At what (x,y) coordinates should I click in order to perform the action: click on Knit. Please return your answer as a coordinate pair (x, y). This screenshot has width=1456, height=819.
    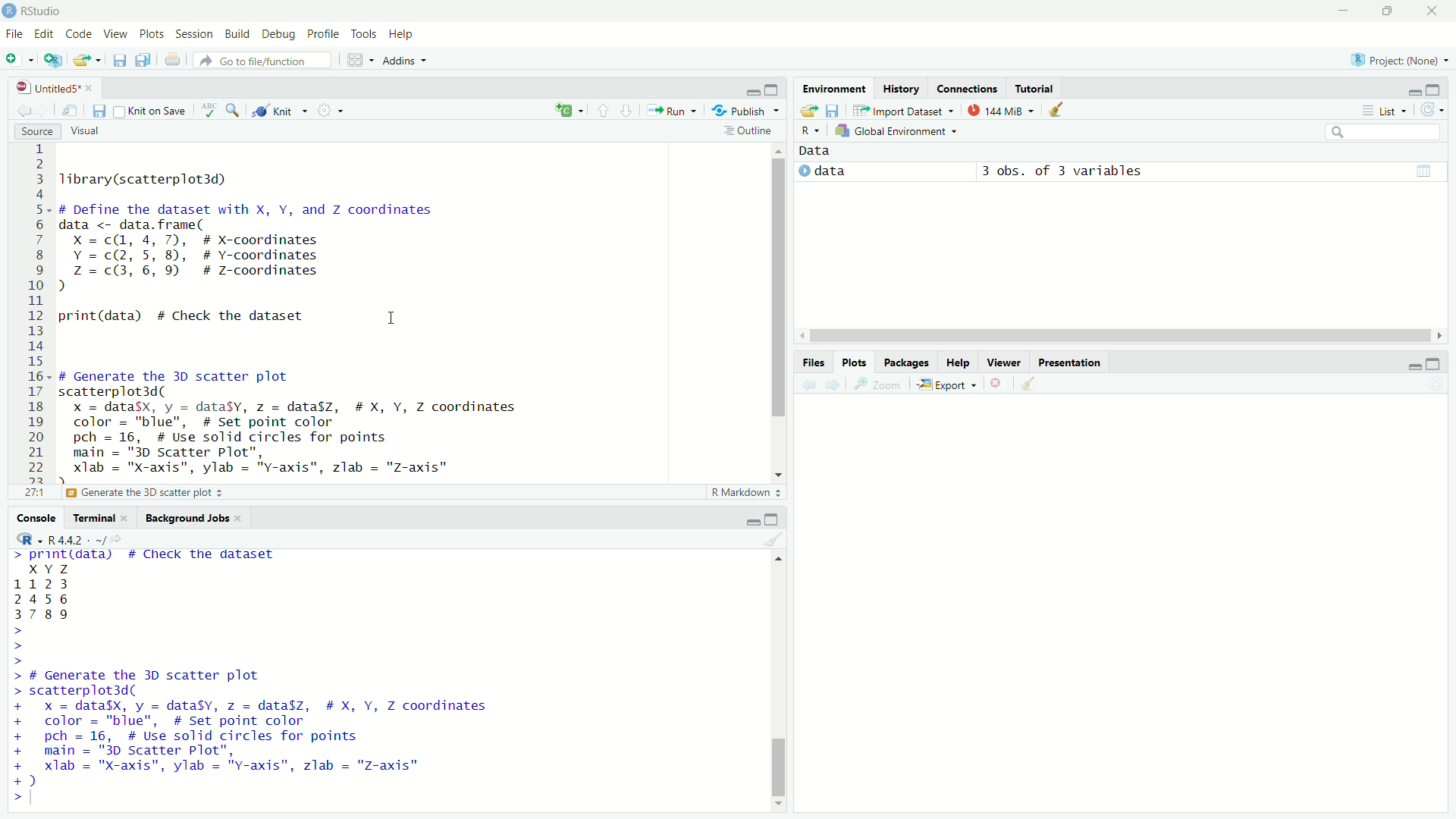
    Looking at the image, I should click on (284, 109).